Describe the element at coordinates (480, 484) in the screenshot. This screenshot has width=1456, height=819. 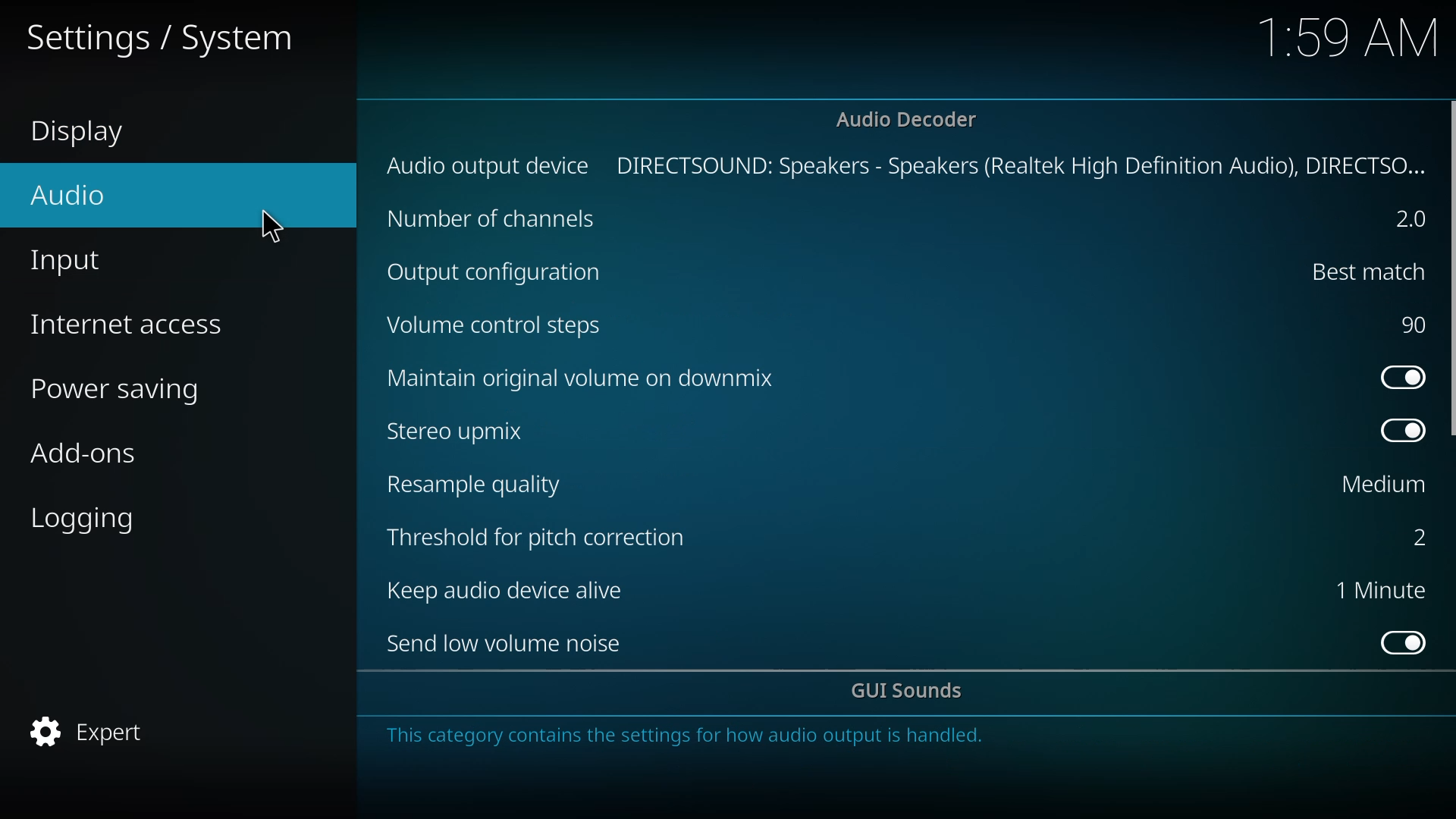
I see `resample quality` at that location.